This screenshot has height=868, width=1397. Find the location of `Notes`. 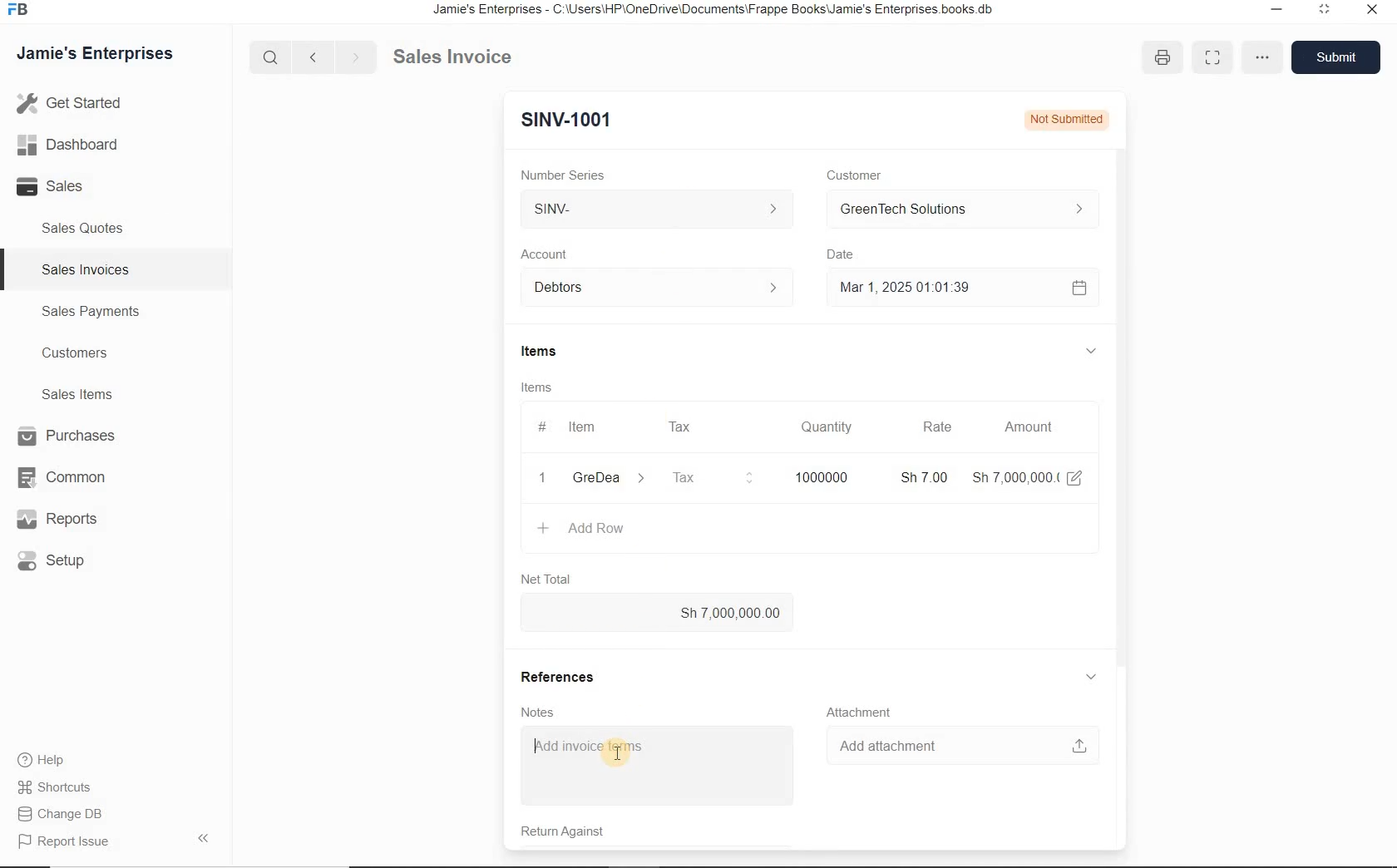

Notes is located at coordinates (531, 711).